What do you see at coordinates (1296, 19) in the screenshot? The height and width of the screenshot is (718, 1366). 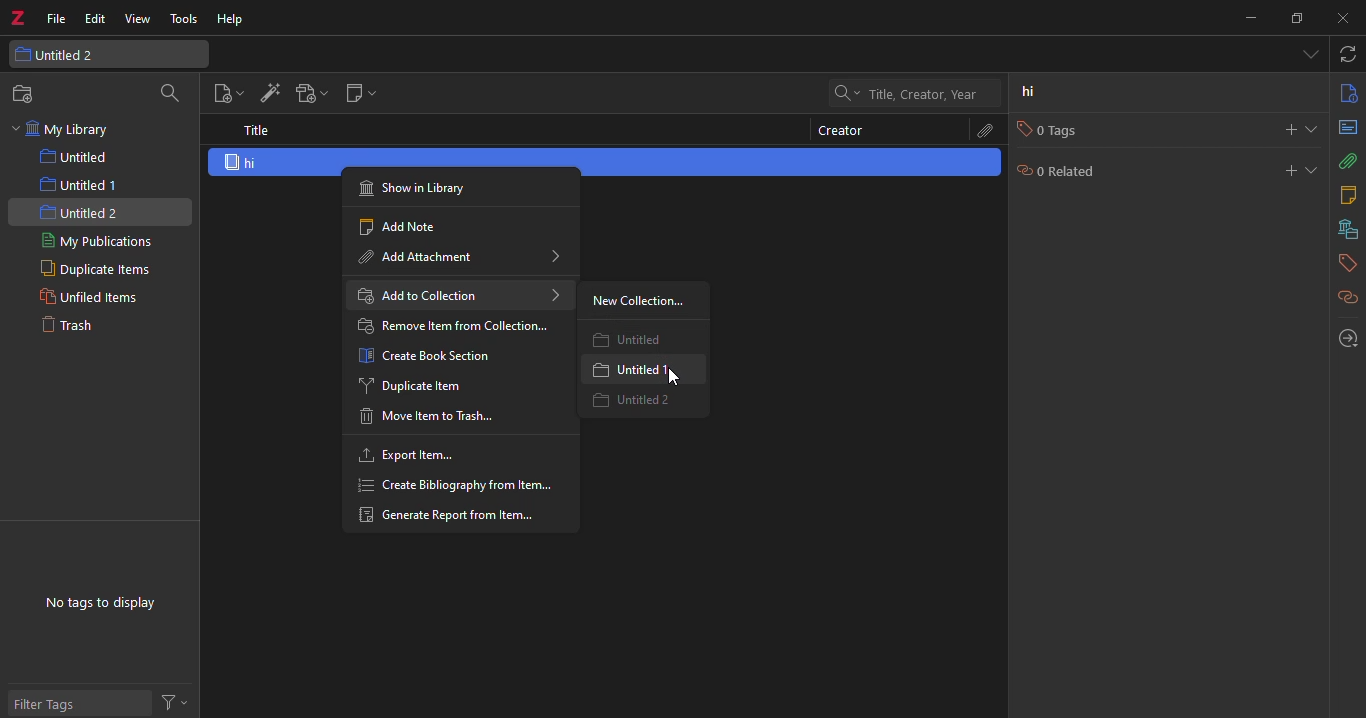 I see `maximize` at bounding box center [1296, 19].